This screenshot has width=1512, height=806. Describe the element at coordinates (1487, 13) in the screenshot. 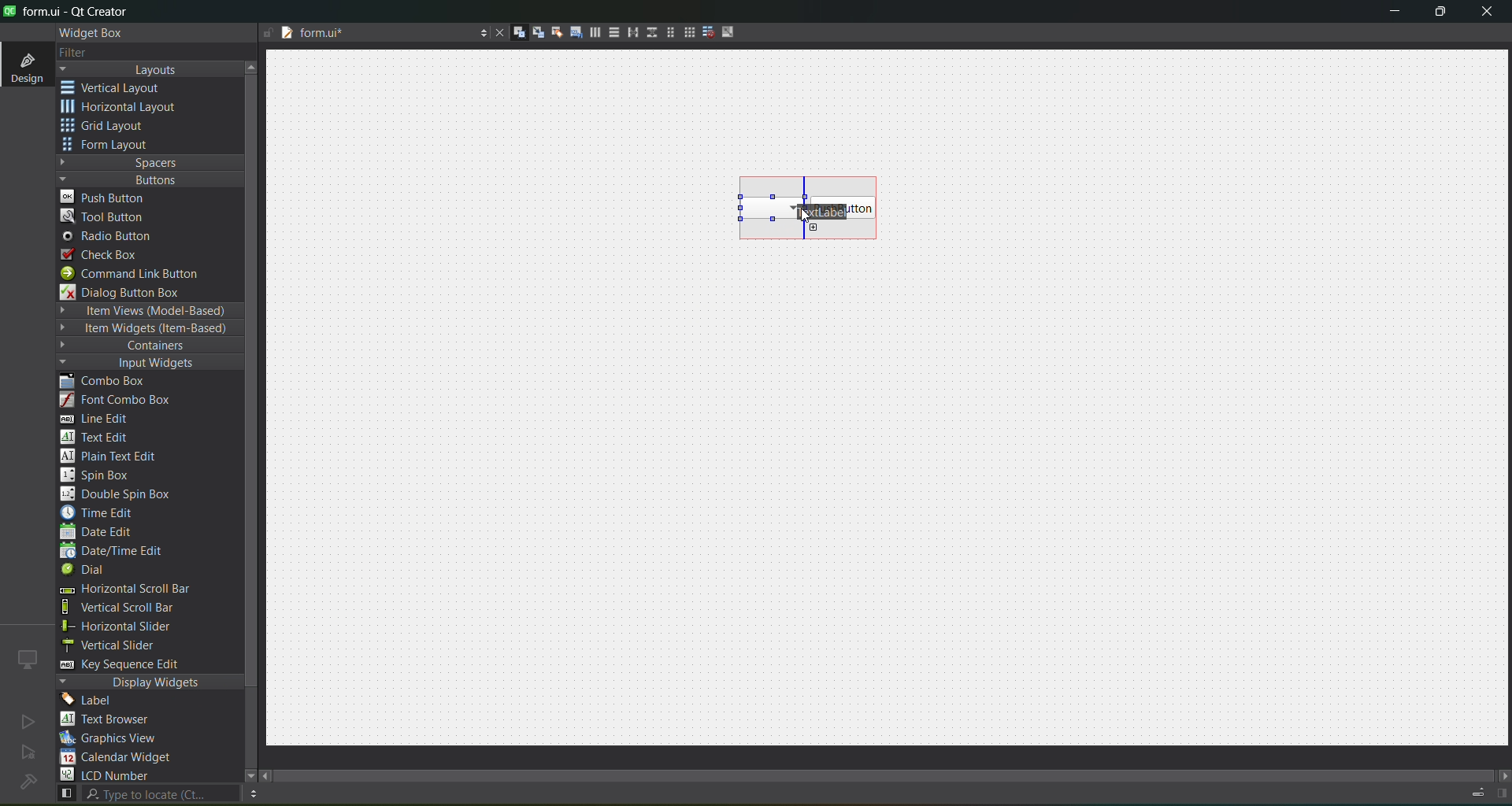

I see `close` at that location.